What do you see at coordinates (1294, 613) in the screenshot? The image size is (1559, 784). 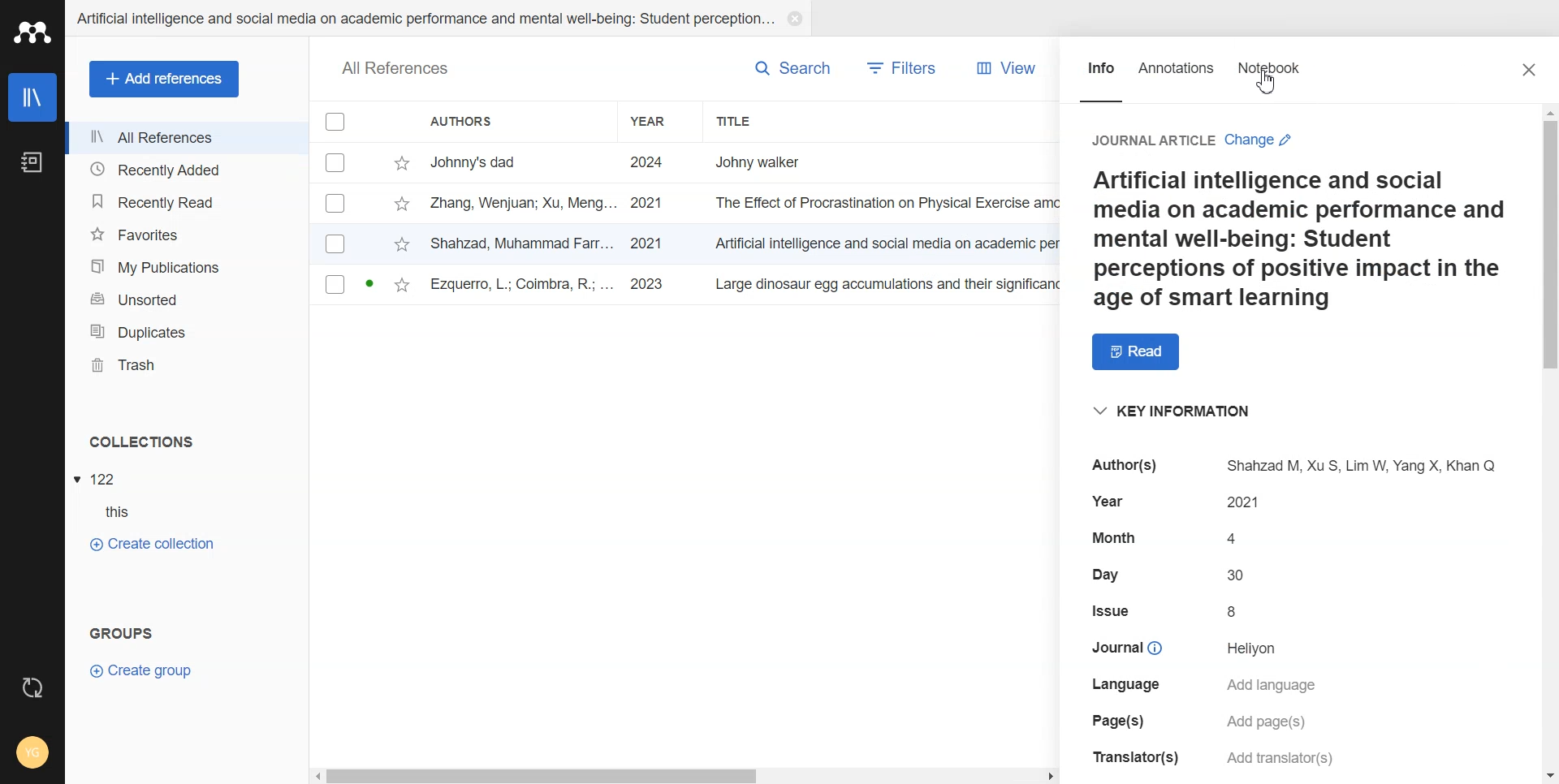 I see `details of selected file` at bounding box center [1294, 613].